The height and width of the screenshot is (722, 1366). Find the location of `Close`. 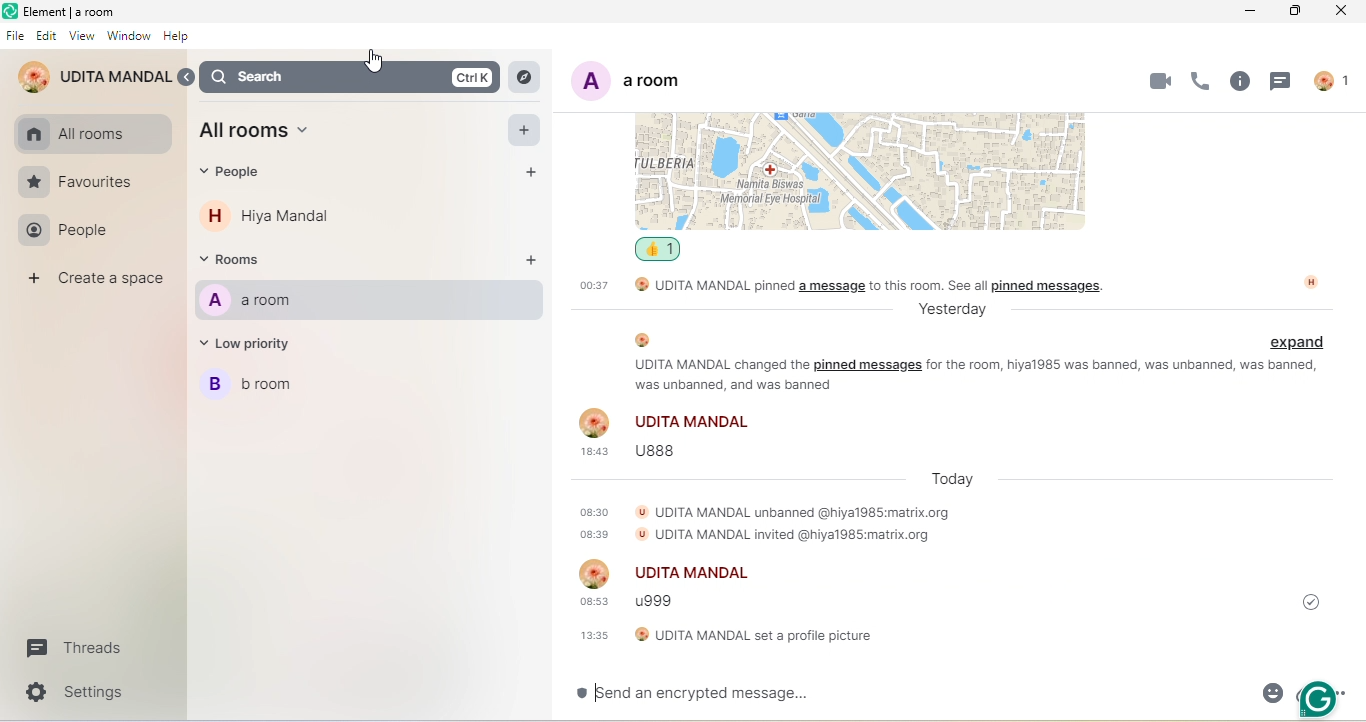

Close is located at coordinates (1347, 12).